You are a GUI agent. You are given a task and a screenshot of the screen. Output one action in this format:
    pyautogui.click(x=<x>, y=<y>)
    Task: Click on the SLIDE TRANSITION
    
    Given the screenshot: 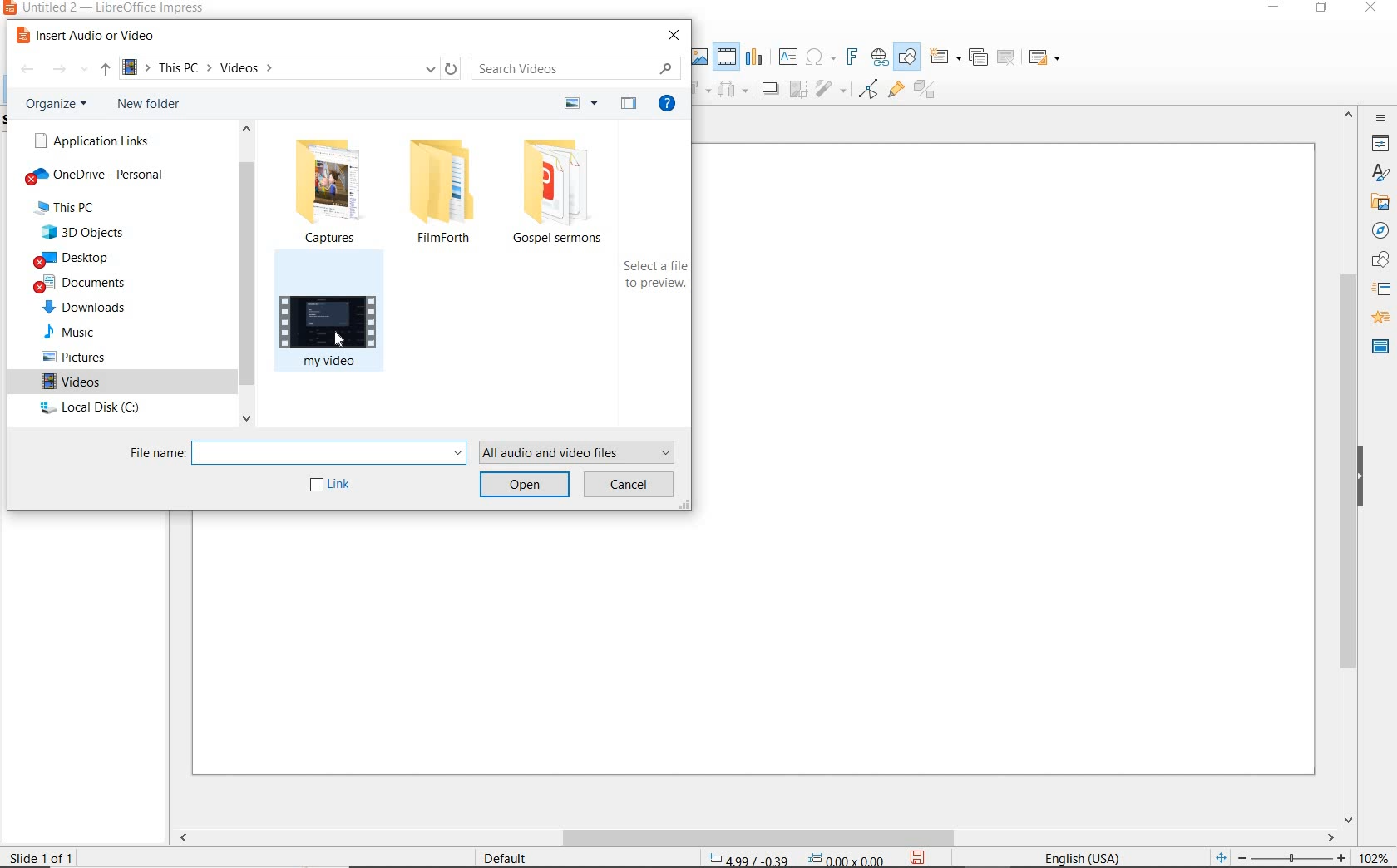 What is the action you would take?
    pyautogui.click(x=1382, y=290)
    